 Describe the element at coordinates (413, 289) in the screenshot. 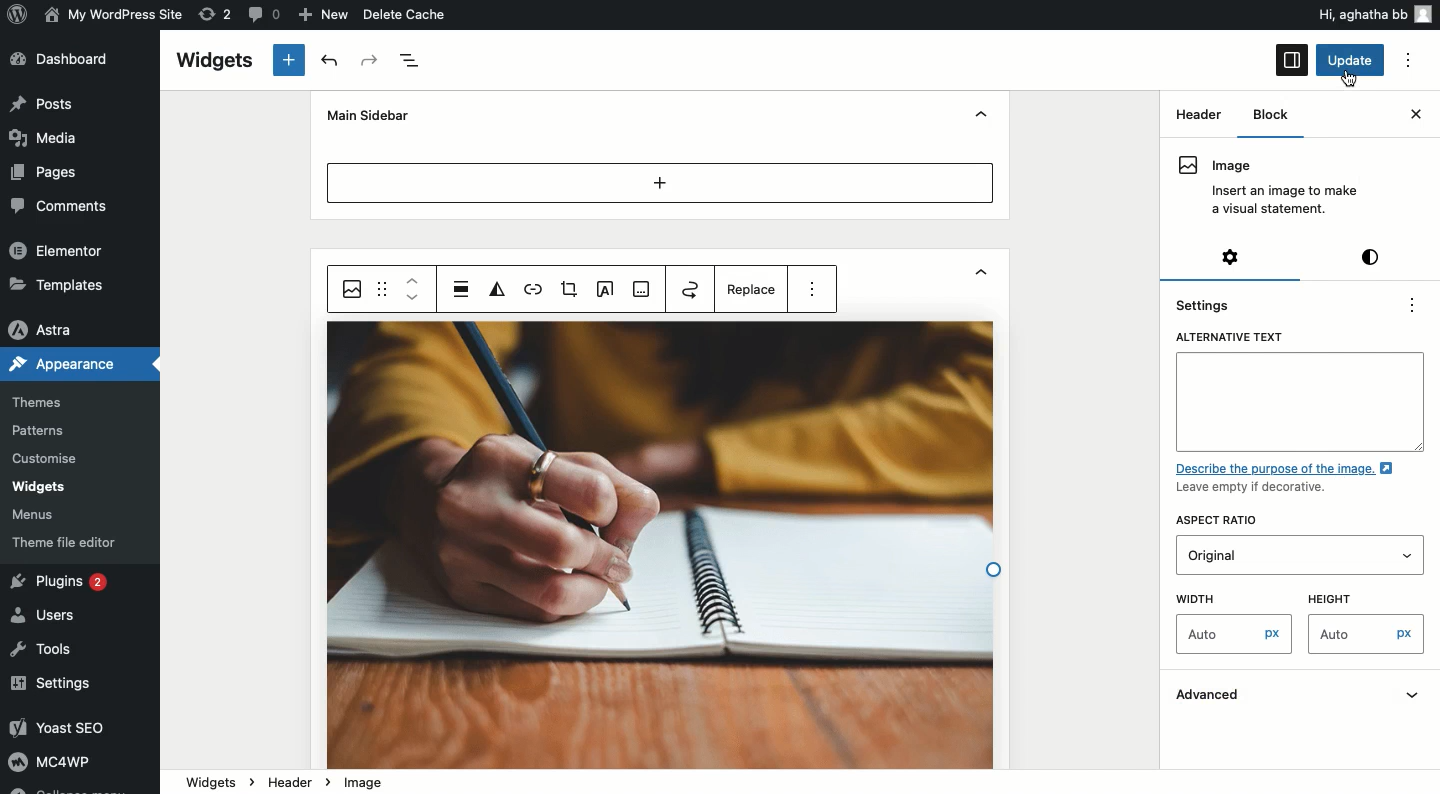

I see `Move up down` at that location.